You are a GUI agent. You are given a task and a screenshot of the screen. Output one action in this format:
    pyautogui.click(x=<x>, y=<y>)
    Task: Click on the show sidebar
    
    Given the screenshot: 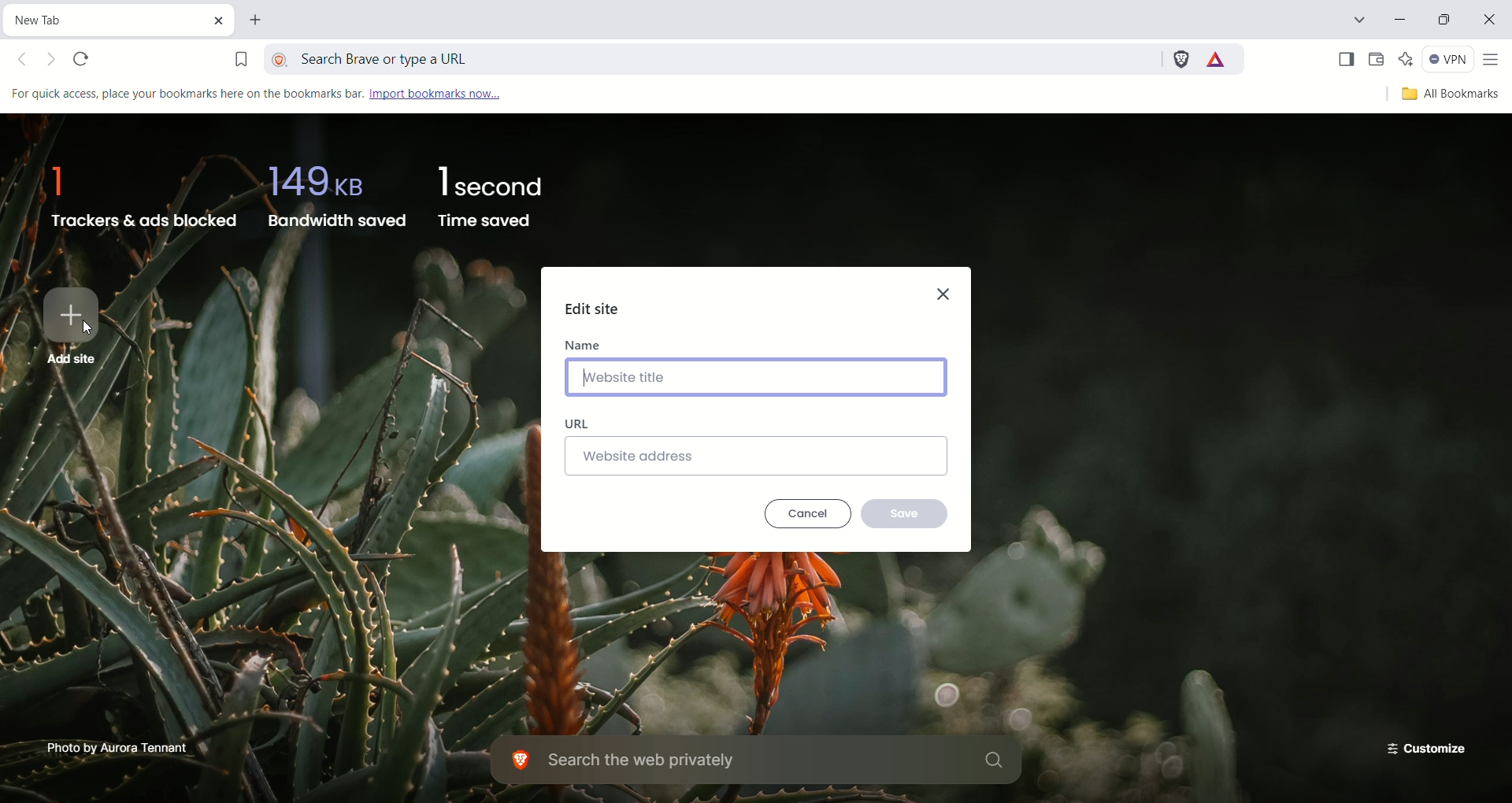 What is the action you would take?
    pyautogui.click(x=1344, y=60)
    